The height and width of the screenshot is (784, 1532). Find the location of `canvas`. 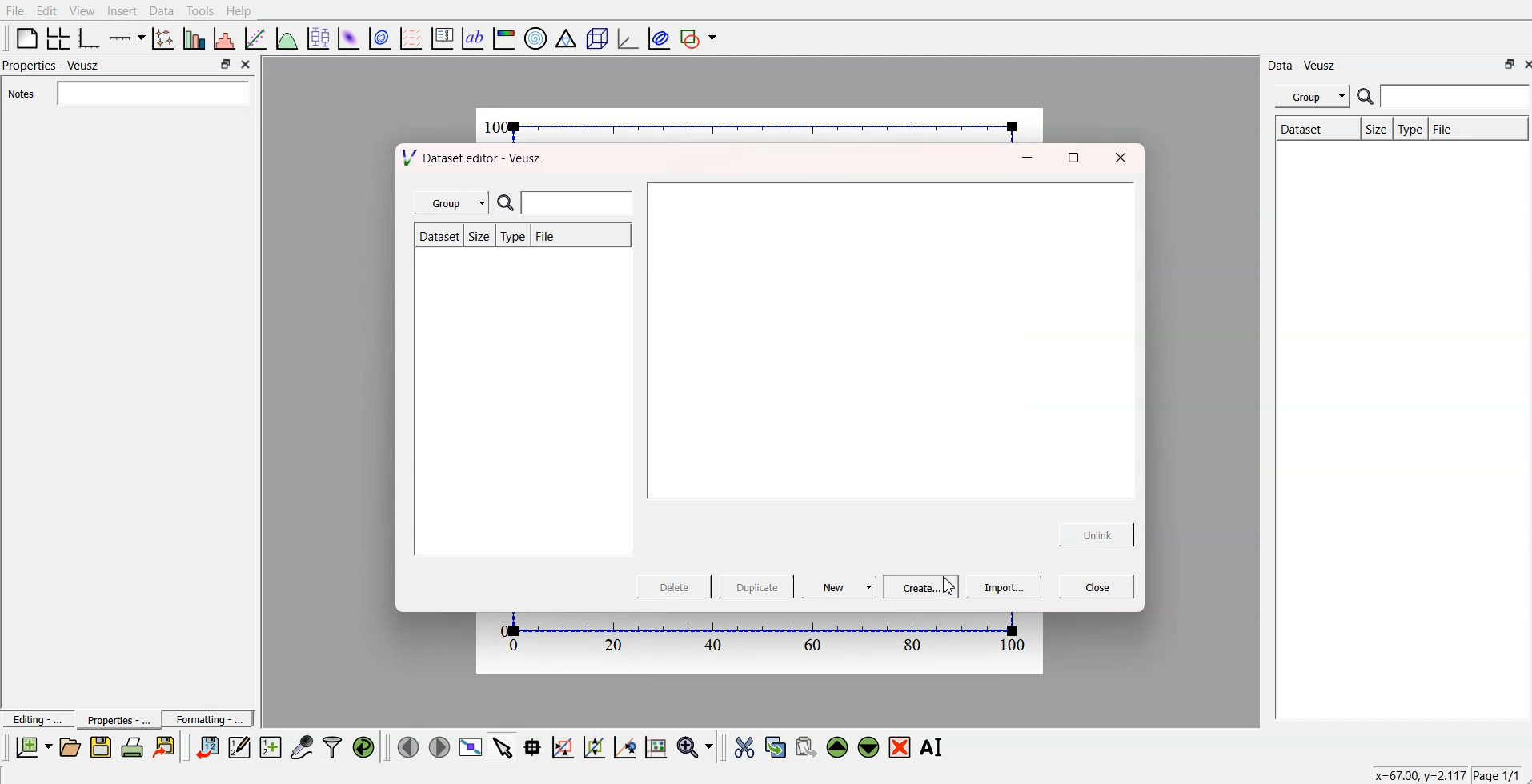

canvas is located at coordinates (761, 124).